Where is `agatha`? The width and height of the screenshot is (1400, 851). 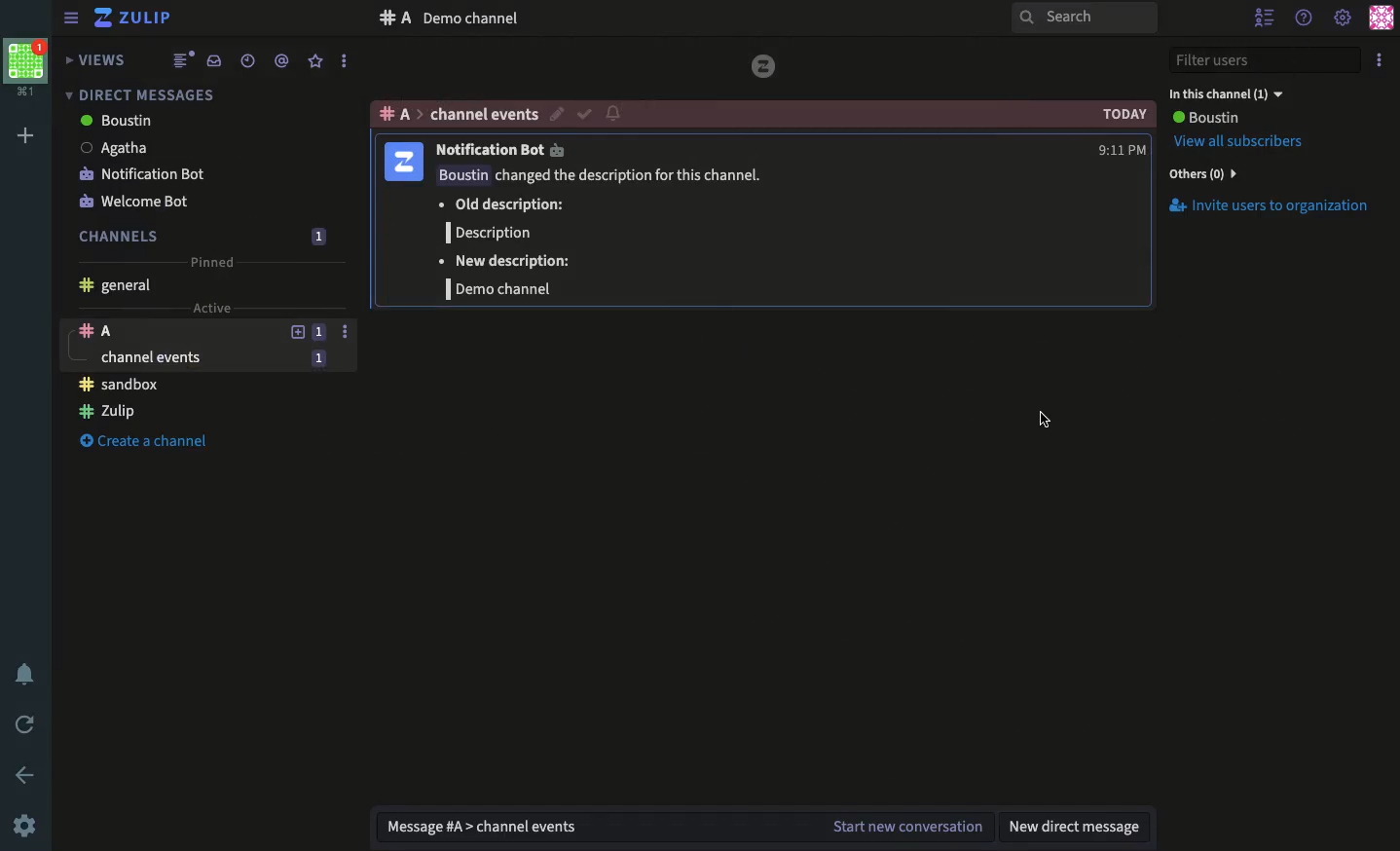
agatha is located at coordinates (119, 146).